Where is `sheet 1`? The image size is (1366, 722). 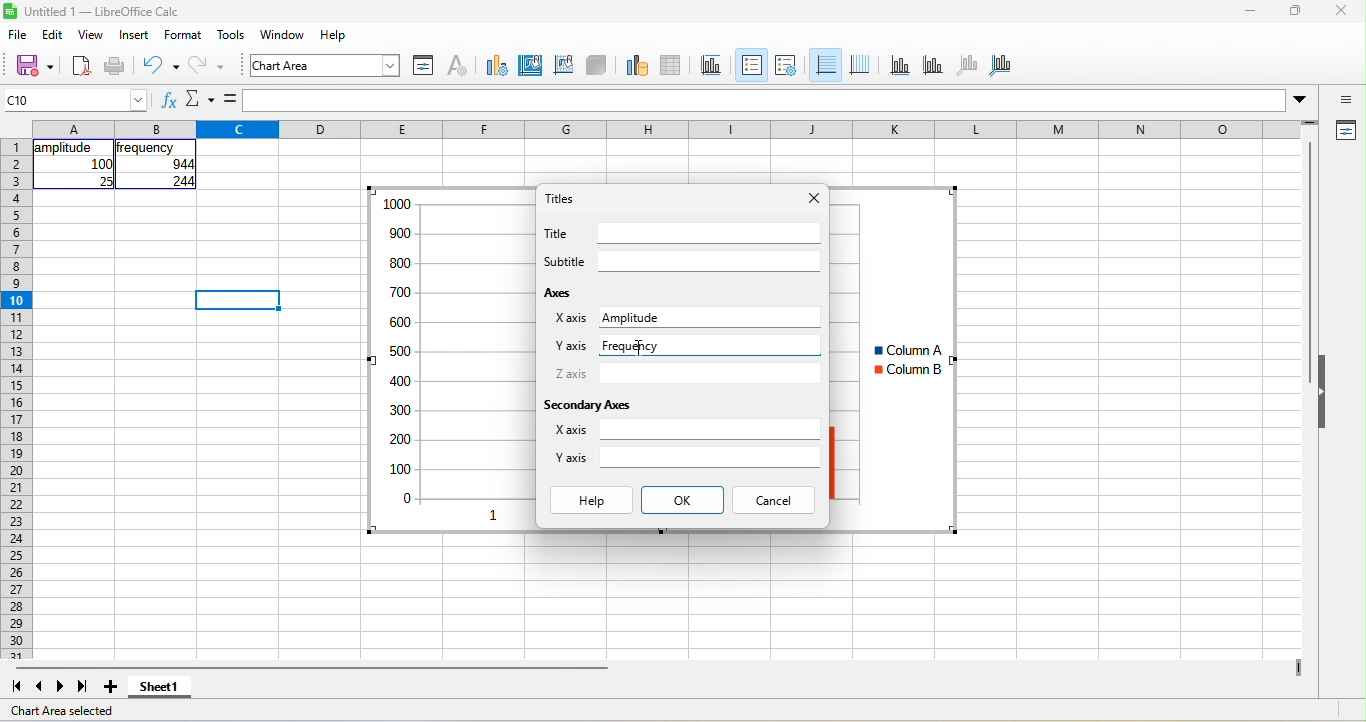
sheet 1 is located at coordinates (160, 687).